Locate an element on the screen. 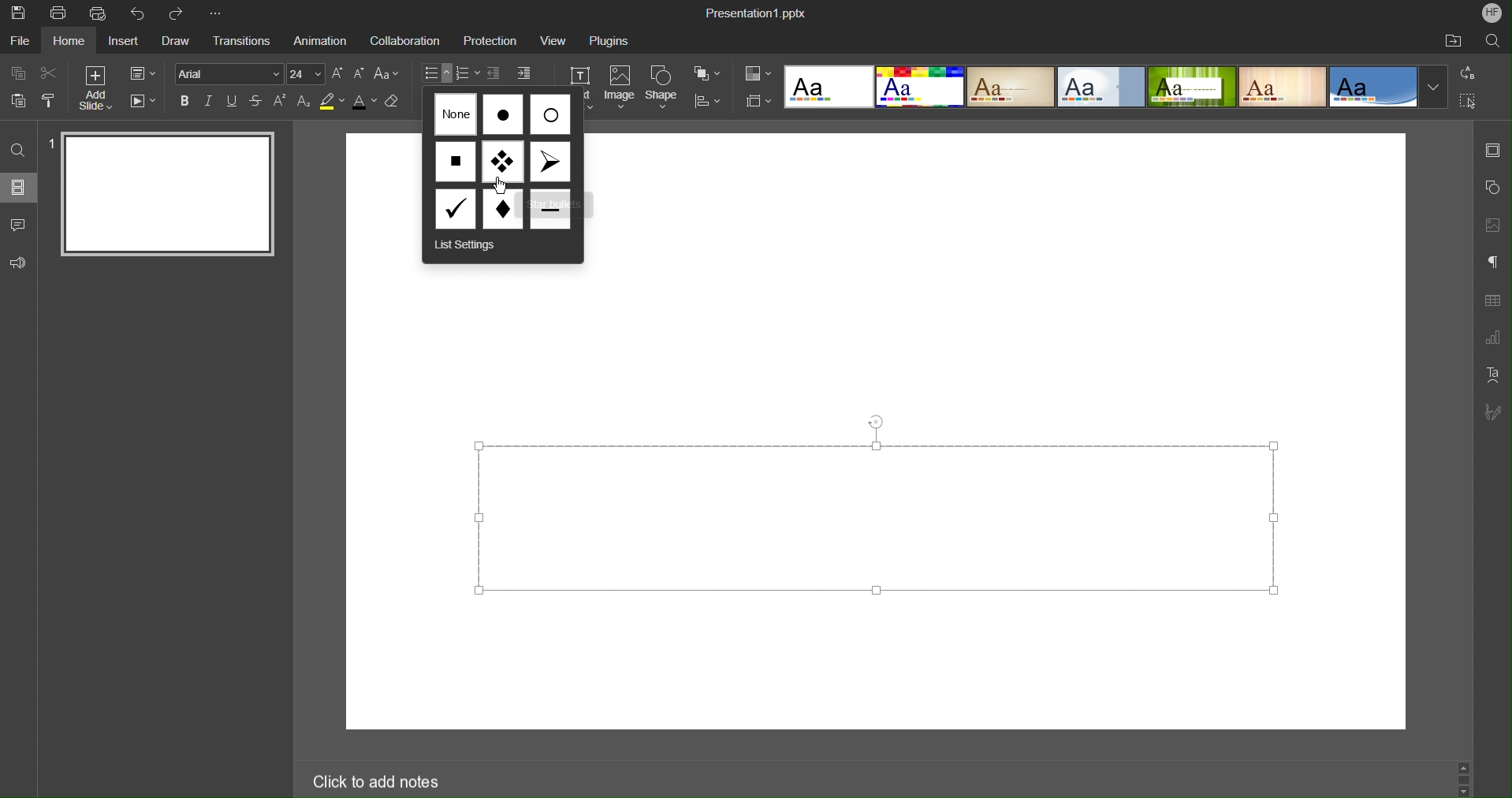 The image size is (1512, 798). Decrease Indent is located at coordinates (524, 74).